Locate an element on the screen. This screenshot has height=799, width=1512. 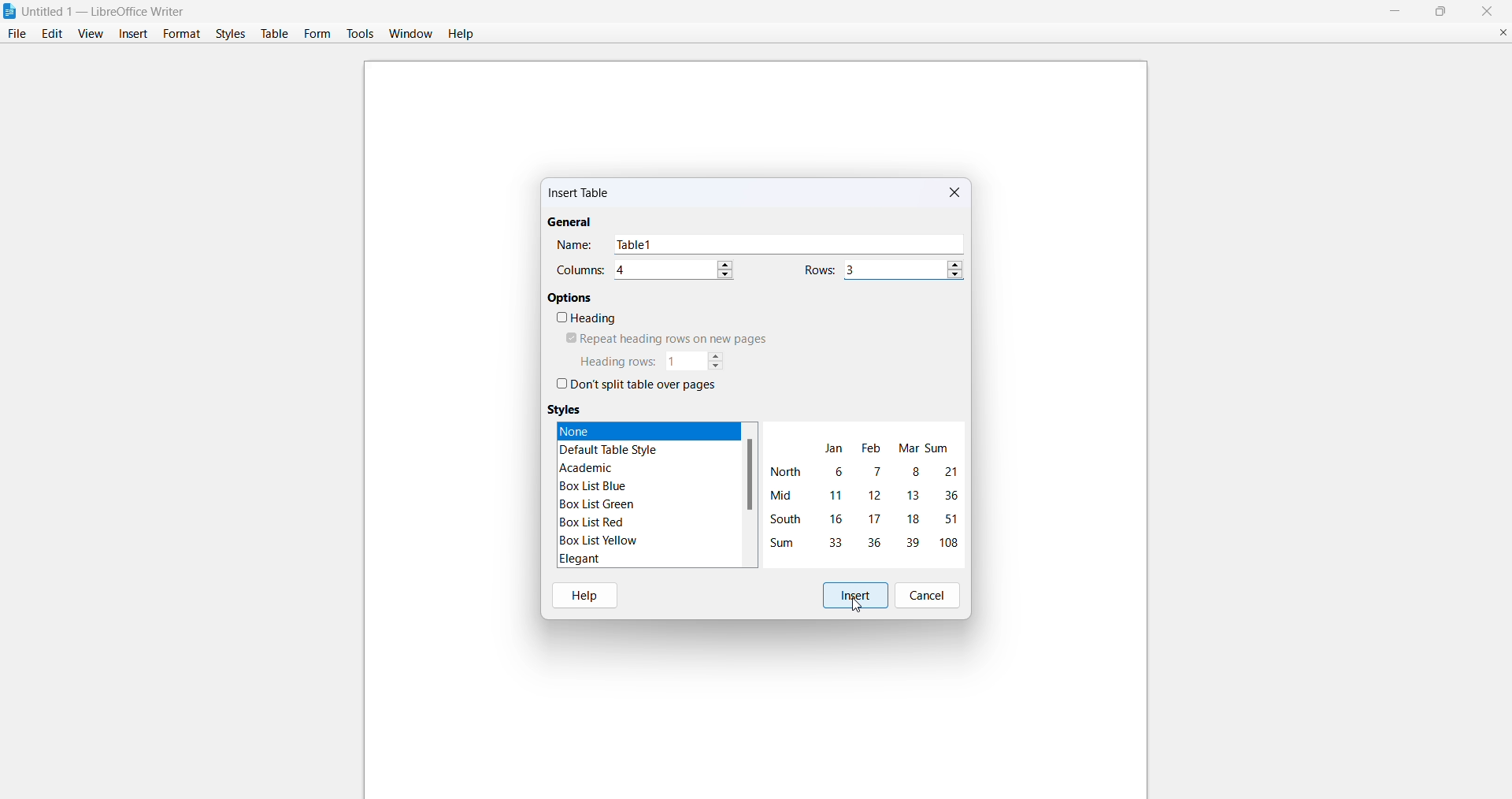
cursor is located at coordinates (858, 606).